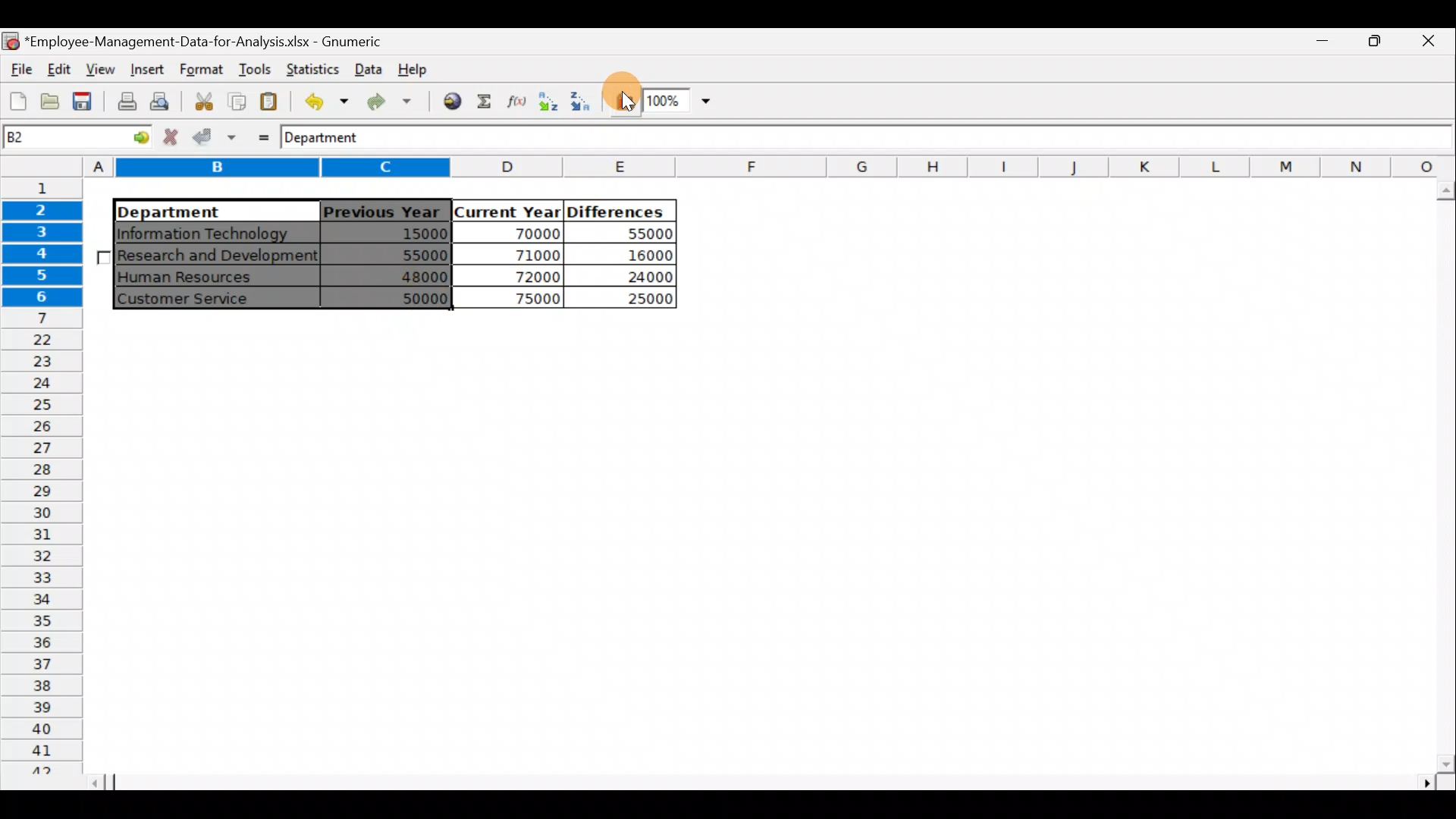 The image size is (1456, 819). What do you see at coordinates (49, 104) in the screenshot?
I see `Open a file` at bounding box center [49, 104].